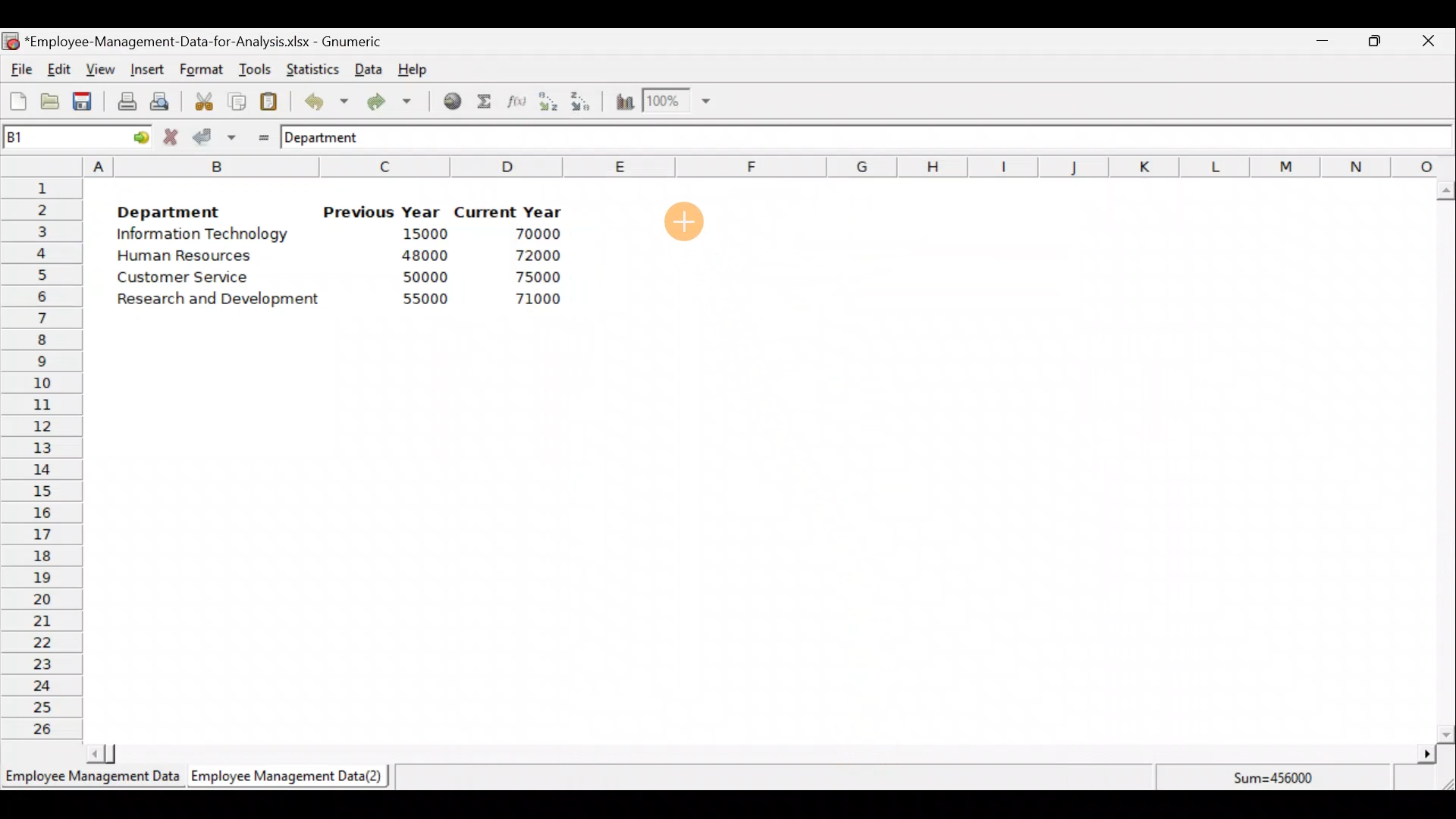  What do you see at coordinates (386, 102) in the screenshot?
I see `Redo undone action` at bounding box center [386, 102].